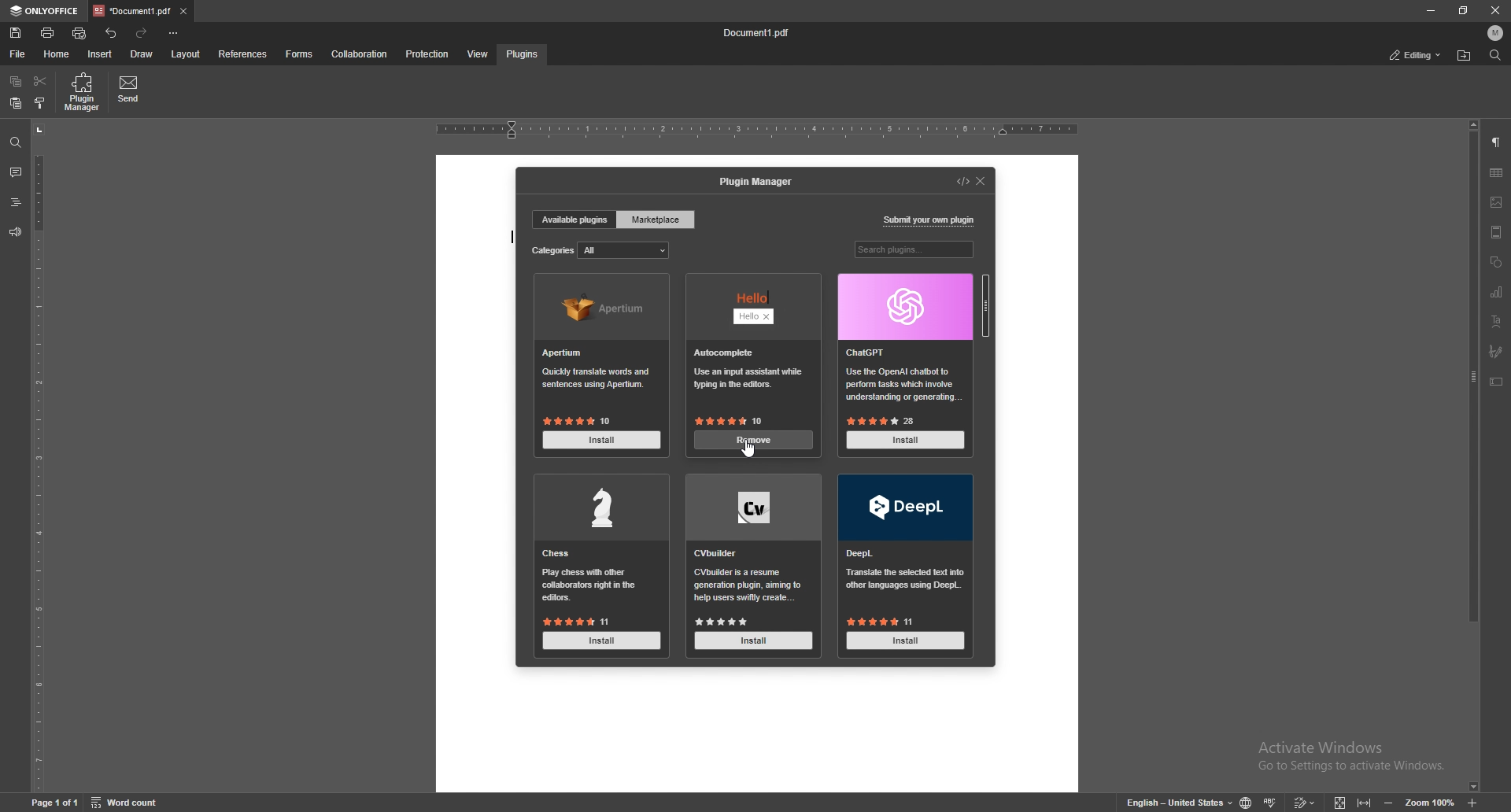  Describe the element at coordinates (57, 54) in the screenshot. I see `home` at that location.